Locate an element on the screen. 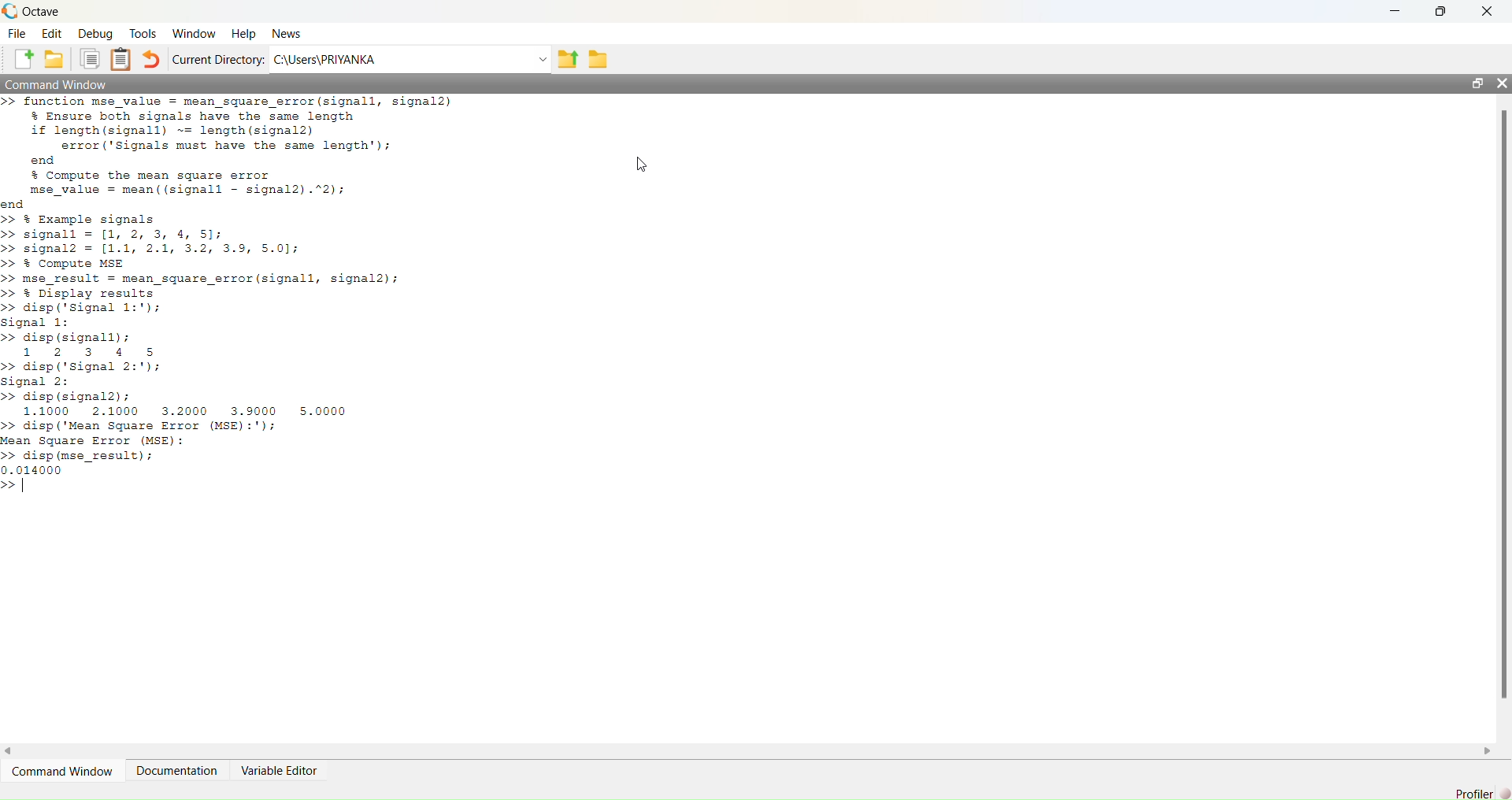 This screenshot has height=800, width=1512. help is located at coordinates (243, 35).